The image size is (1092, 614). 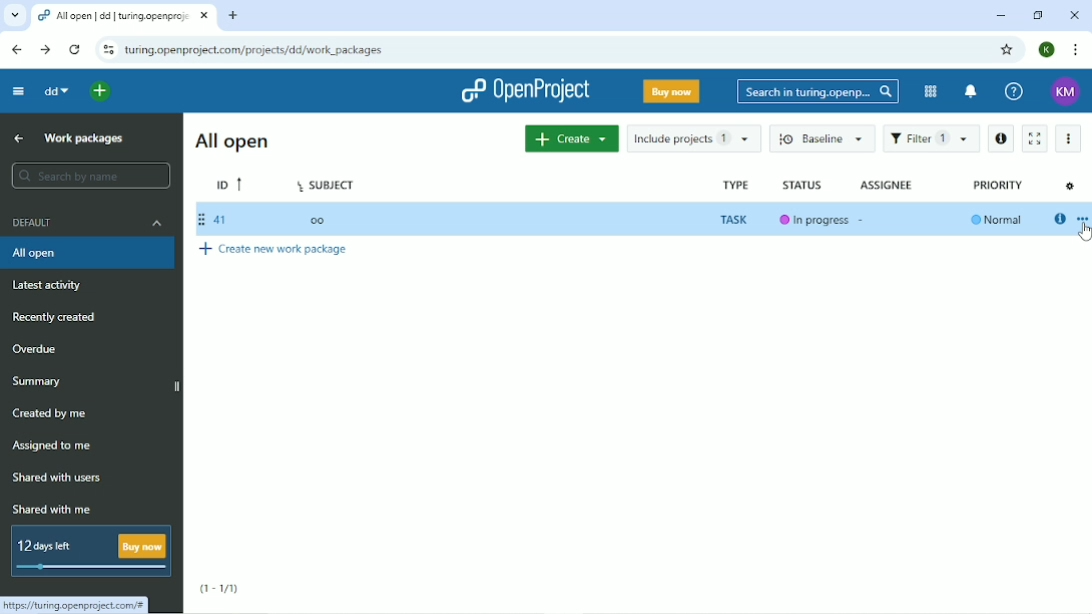 What do you see at coordinates (93, 175) in the screenshot?
I see `Search by name` at bounding box center [93, 175].